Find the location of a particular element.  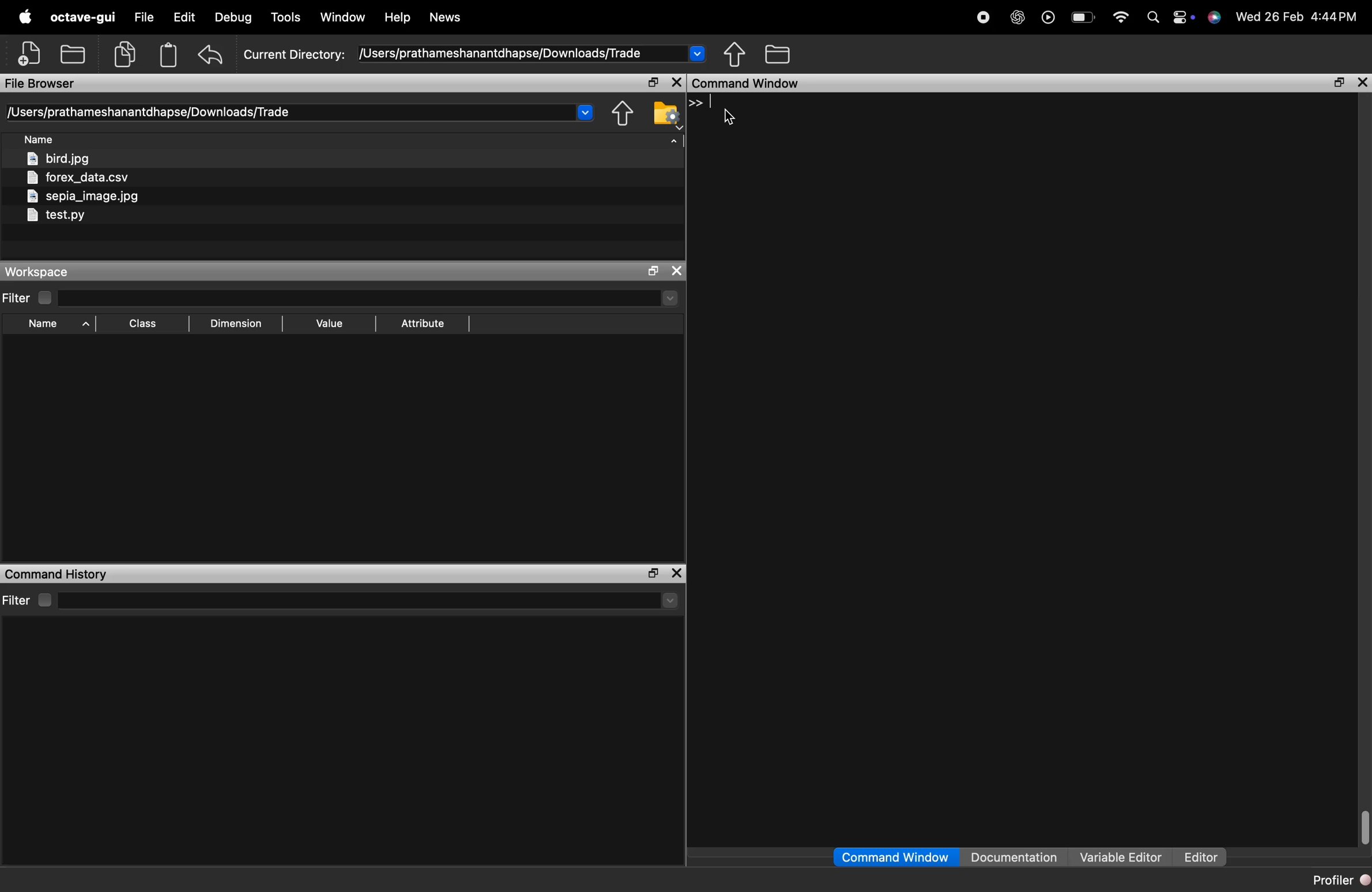

[Users/prathameshanantdhapse/Downloads/Trade is located at coordinates (151, 112).